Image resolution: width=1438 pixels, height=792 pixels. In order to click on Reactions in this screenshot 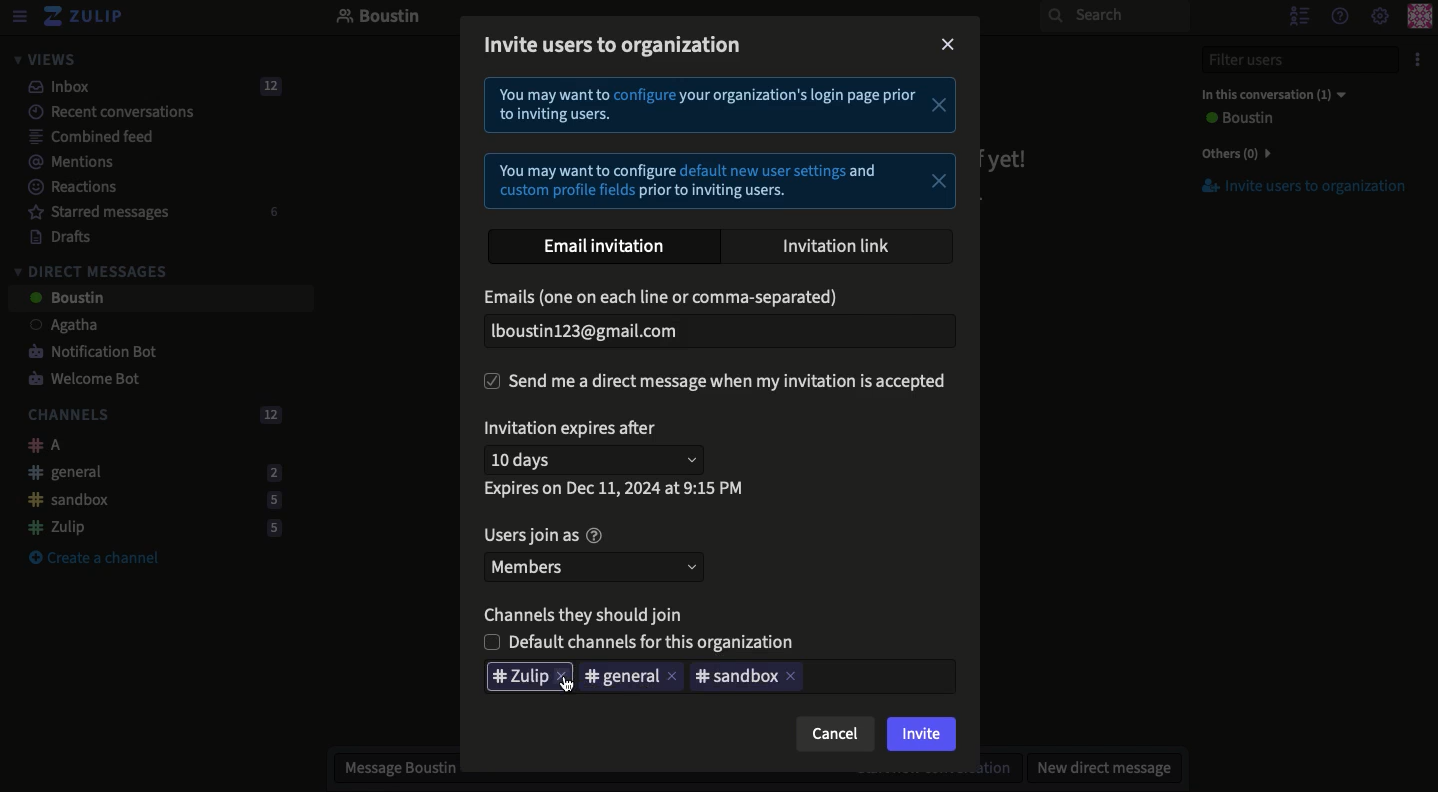, I will do `click(69, 189)`.